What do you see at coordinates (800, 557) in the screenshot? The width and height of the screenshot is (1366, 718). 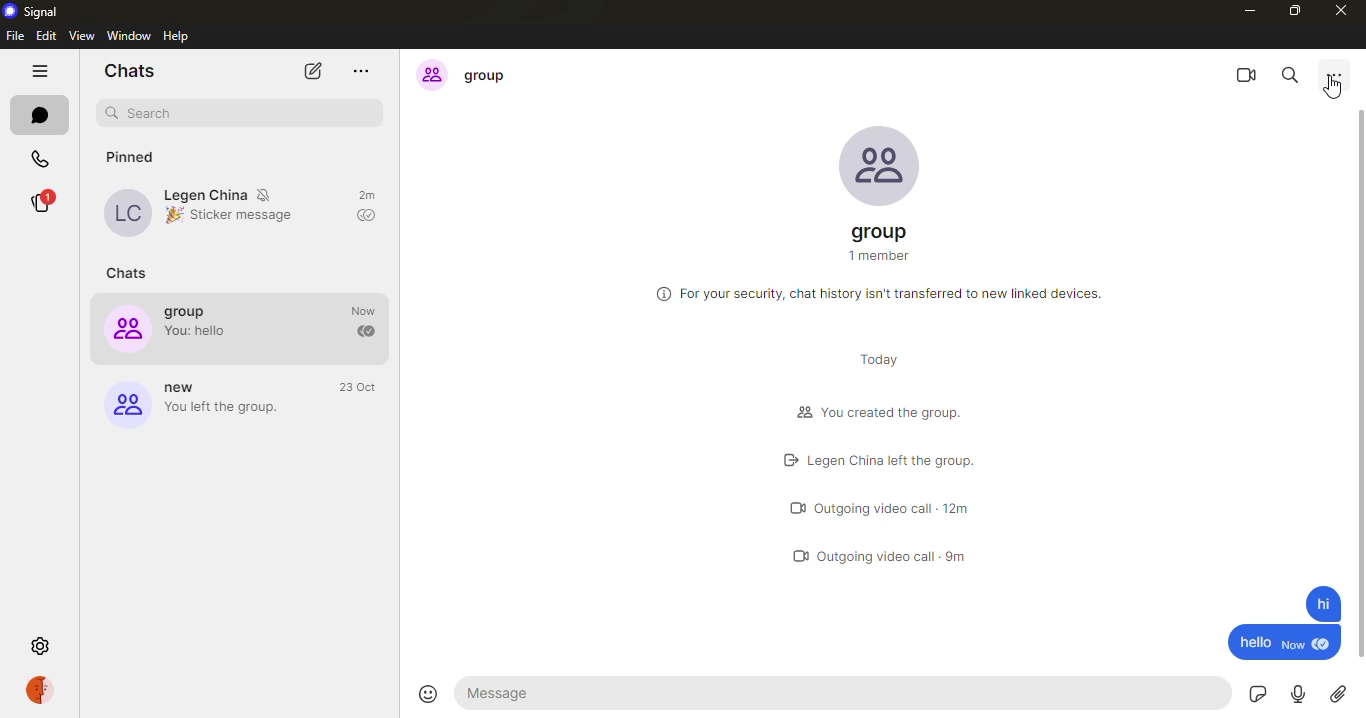 I see `video call logo` at bounding box center [800, 557].